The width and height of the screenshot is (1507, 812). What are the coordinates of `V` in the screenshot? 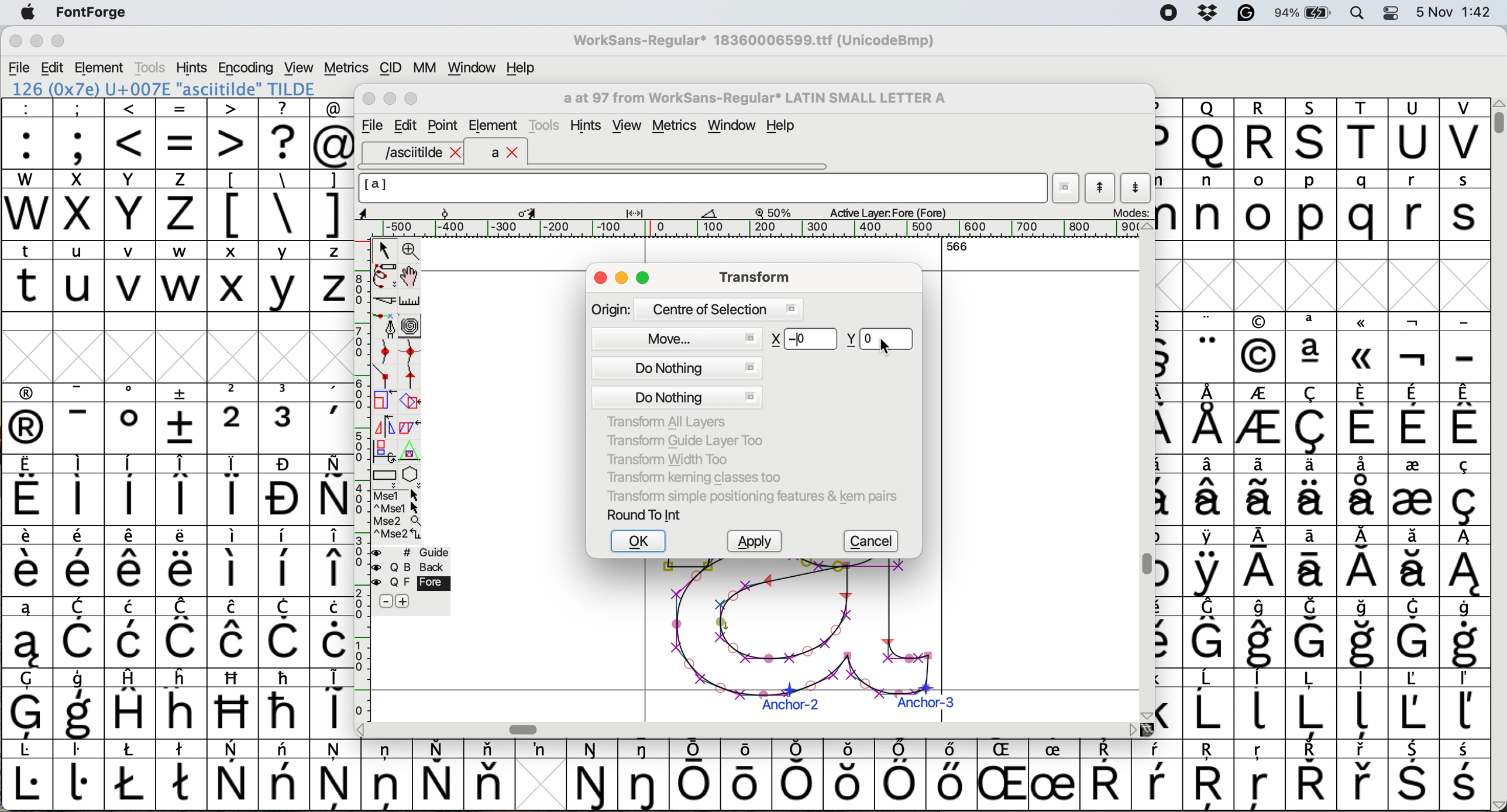 It's located at (1464, 134).